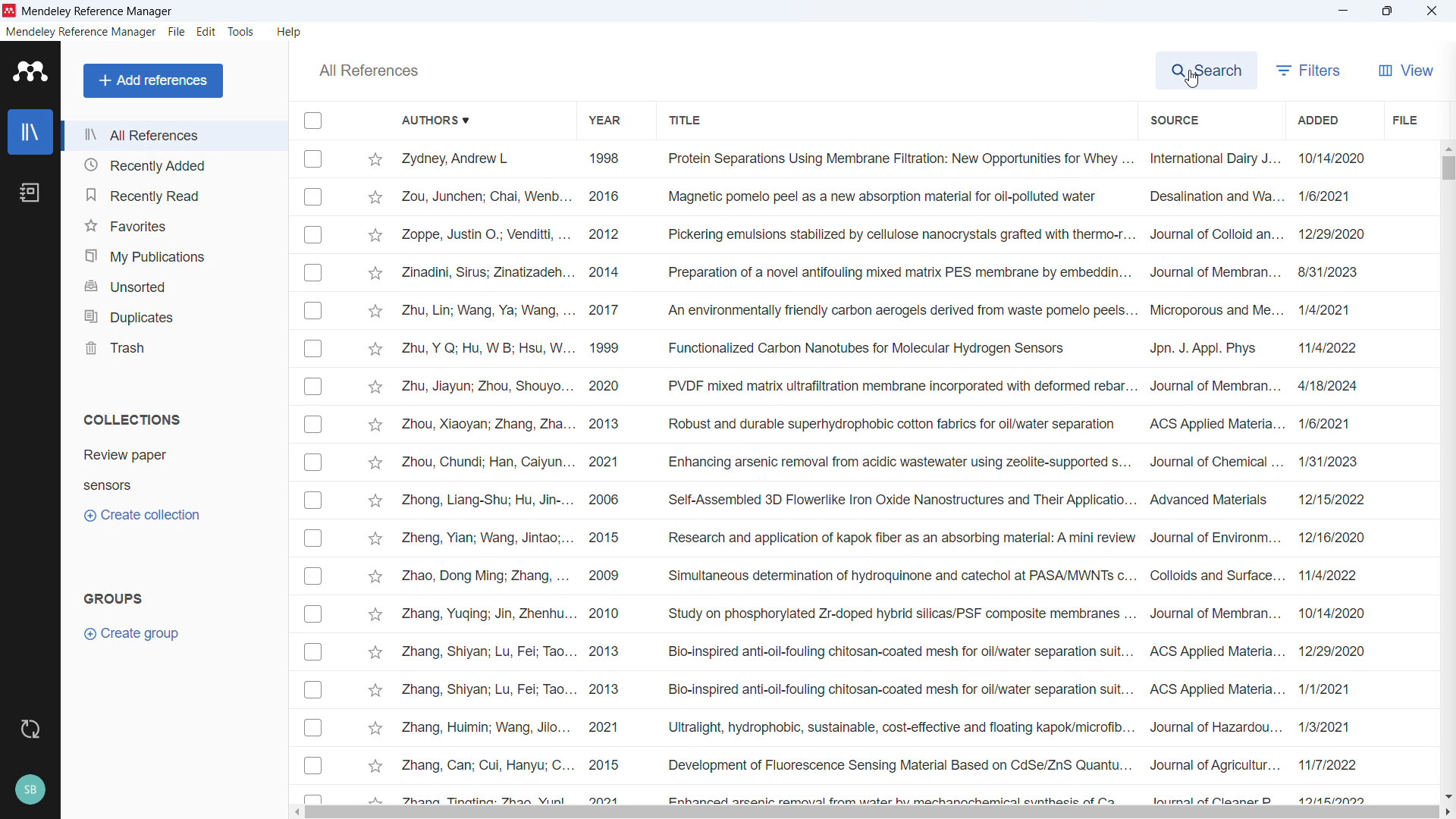 This screenshot has height=819, width=1456. What do you see at coordinates (375, 476) in the screenshot?
I see `Starmark individual entries ` at bounding box center [375, 476].